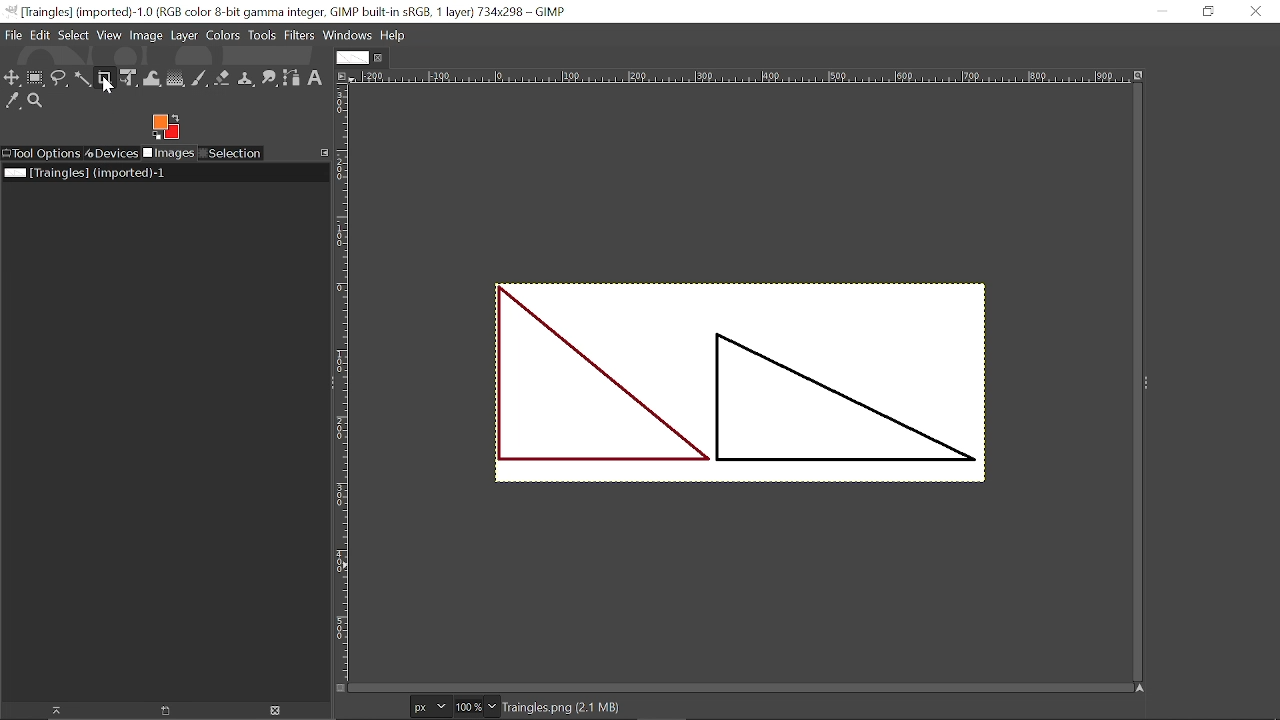  What do you see at coordinates (1138, 74) in the screenshot?
I see `Zoom image when window size changes` at bounding box center [1138, 74].